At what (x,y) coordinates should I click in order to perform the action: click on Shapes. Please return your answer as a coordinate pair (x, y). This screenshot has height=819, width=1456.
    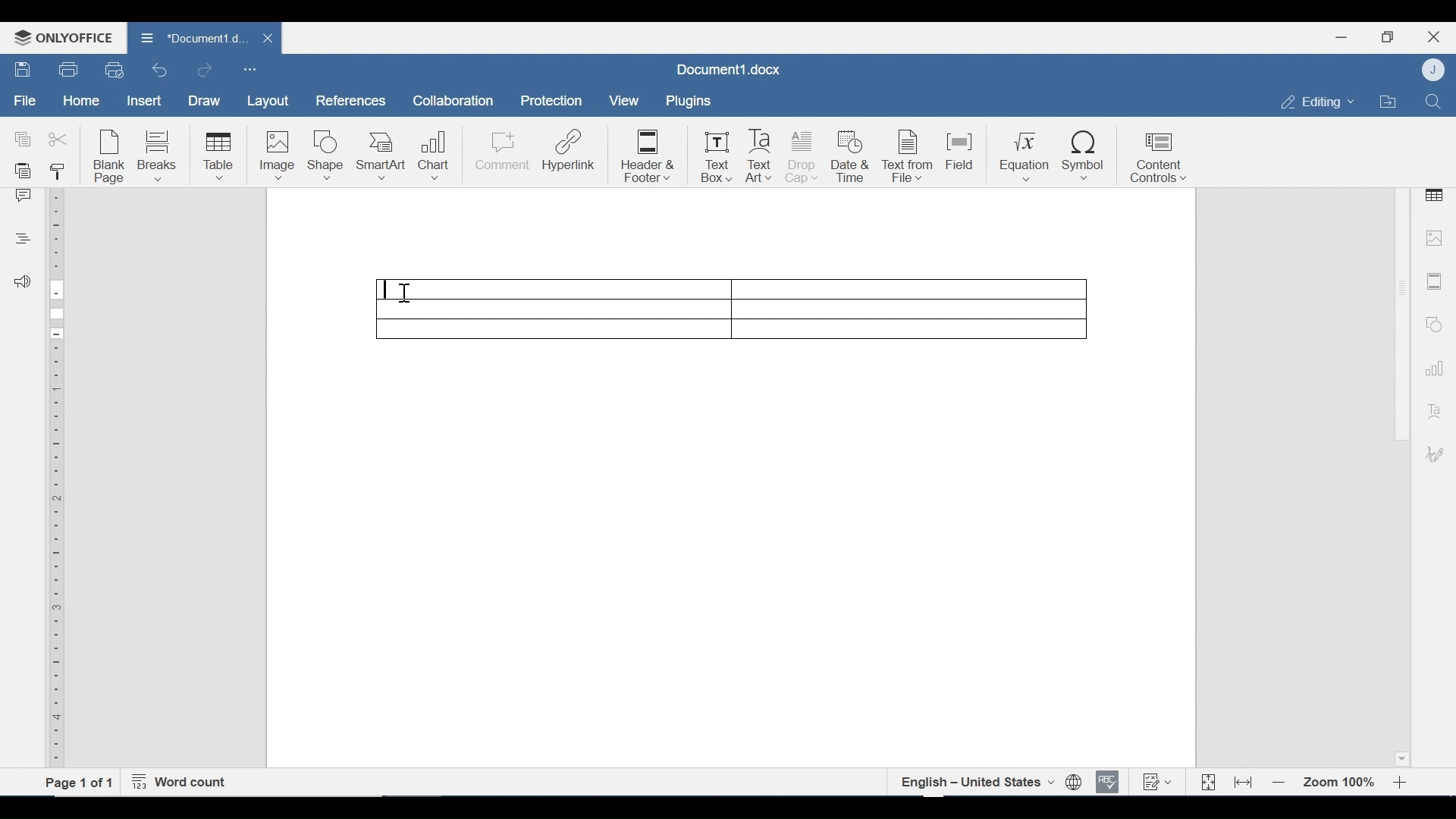
    Looking at the image, I should click on (1432, 322).